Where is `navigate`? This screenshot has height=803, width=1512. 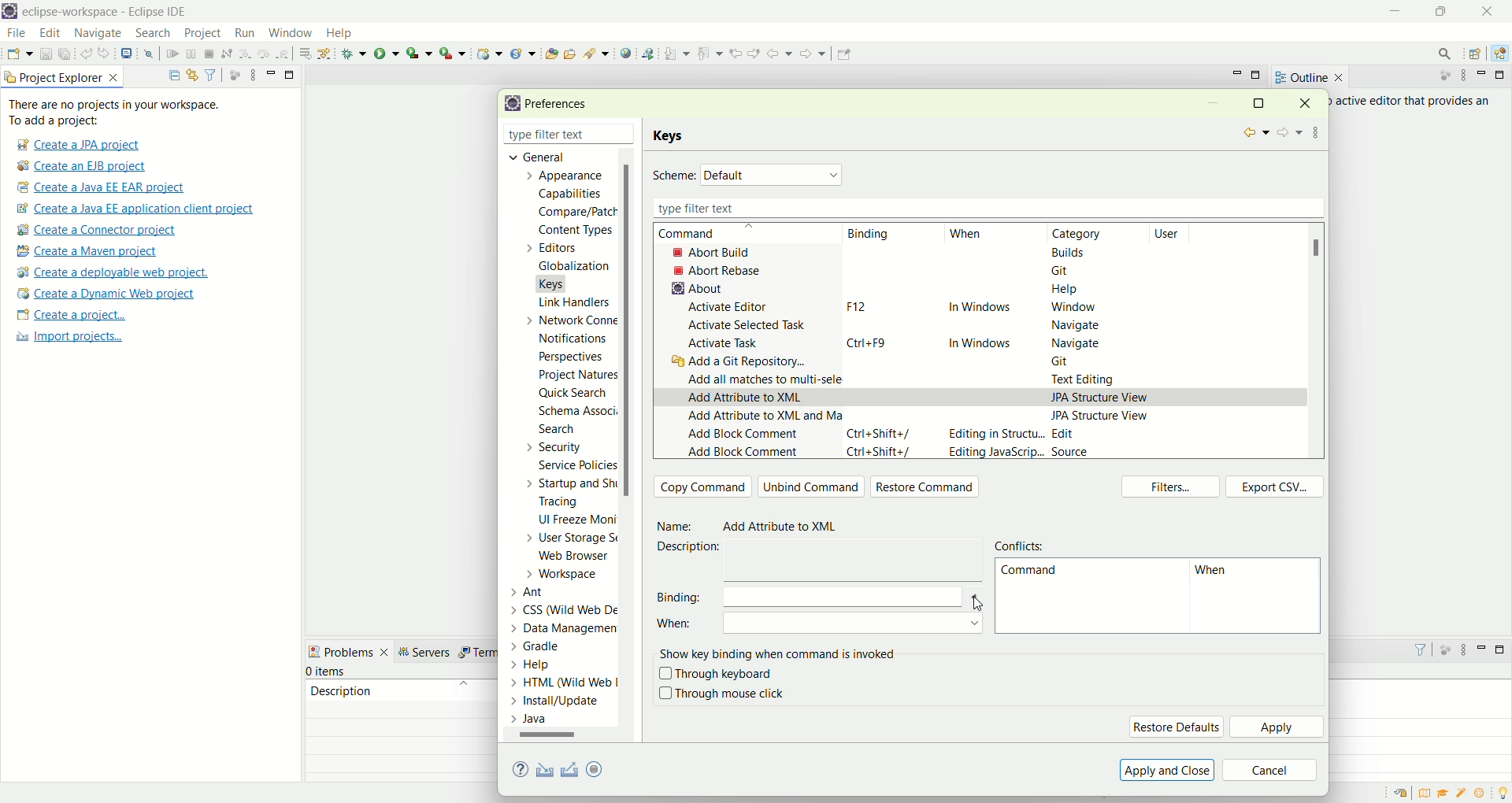 navigate is located at coordinates (1072, 326).